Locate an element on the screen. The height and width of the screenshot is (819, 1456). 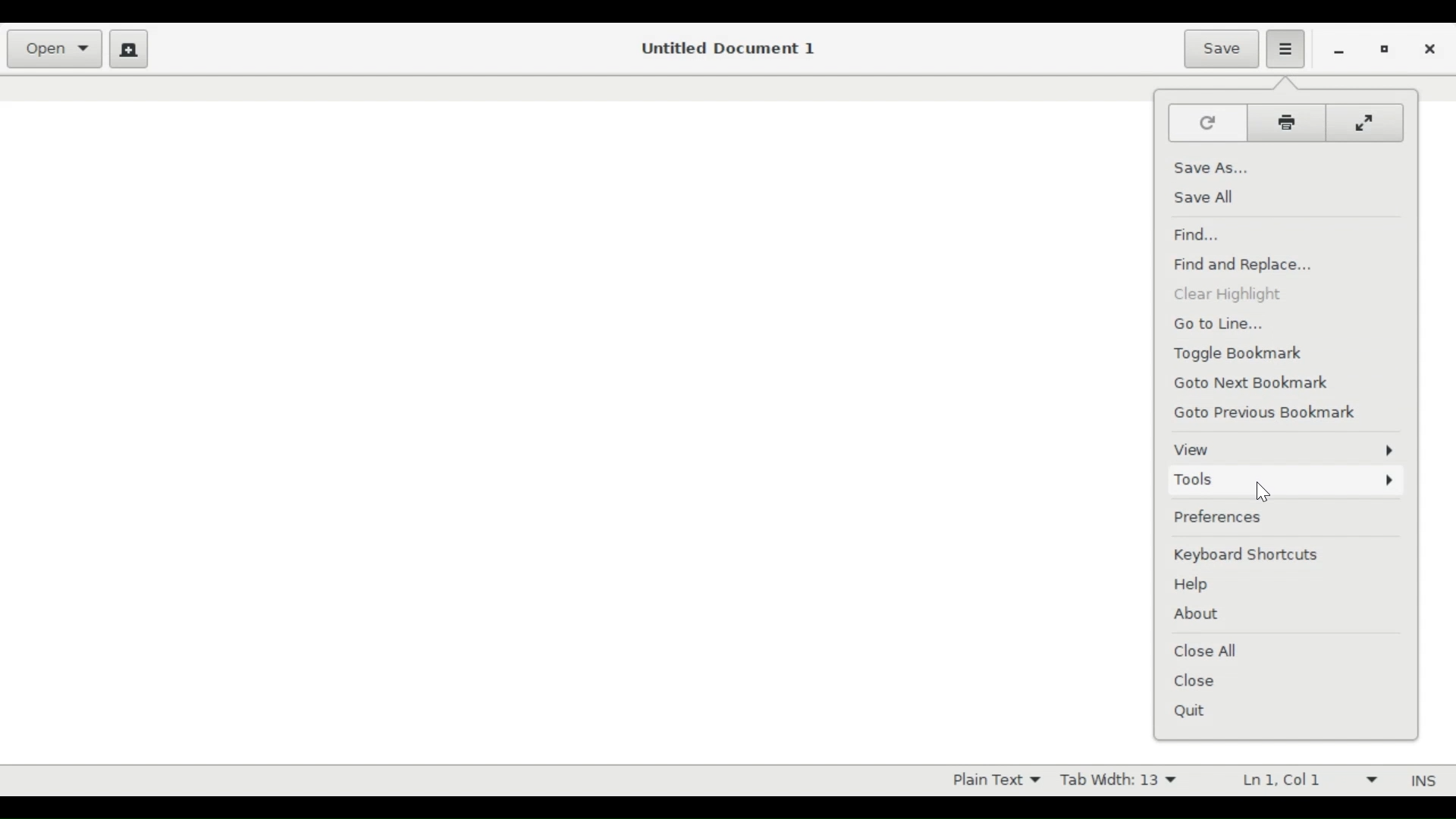
Preferences is located at coordinates (1279, 517).